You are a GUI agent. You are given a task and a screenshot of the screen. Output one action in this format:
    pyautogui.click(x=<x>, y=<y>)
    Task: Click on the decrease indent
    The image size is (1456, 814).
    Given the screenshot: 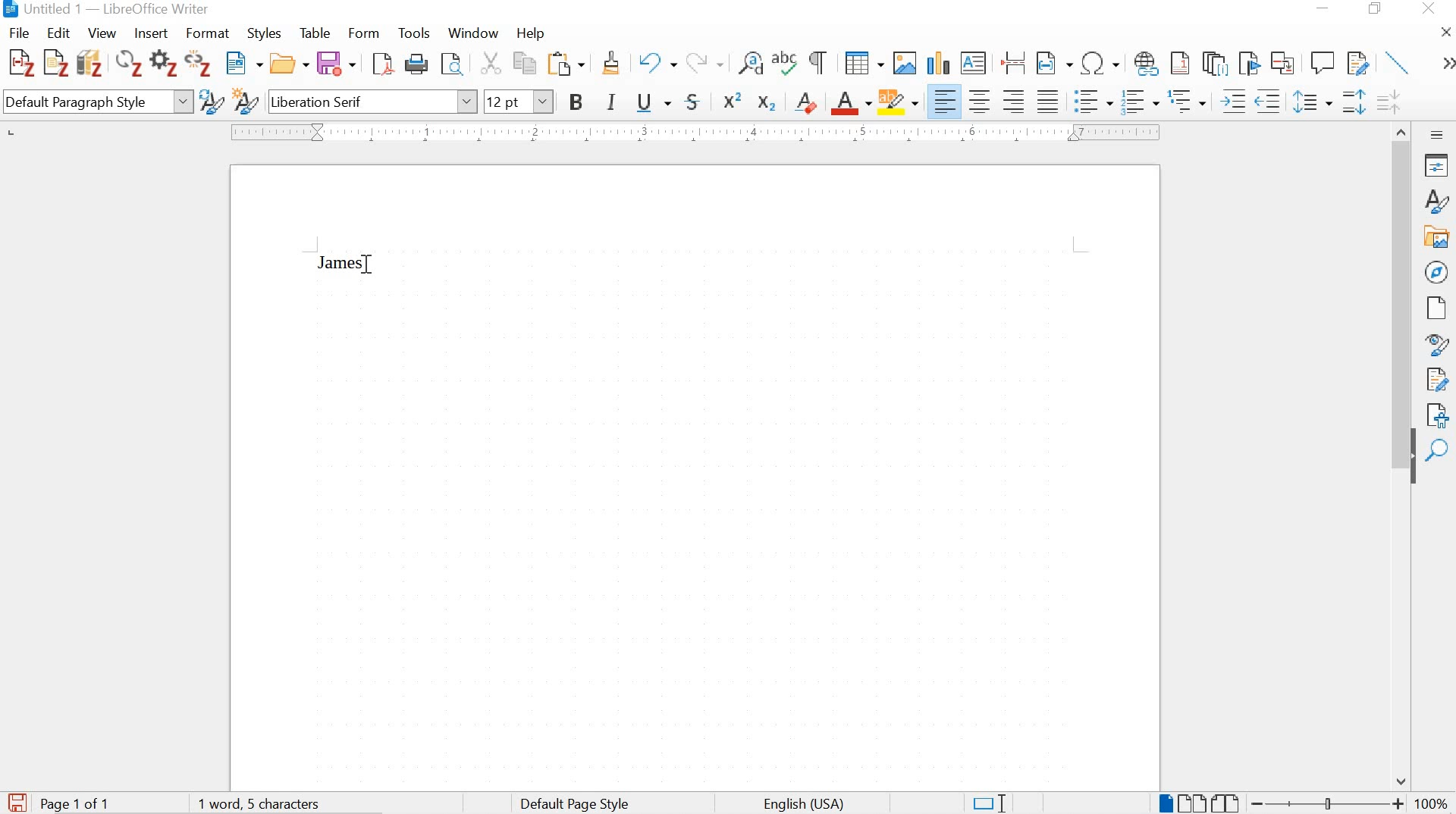 What is the action you would take?
    pyautogui.click(x=1270, y=101)
    